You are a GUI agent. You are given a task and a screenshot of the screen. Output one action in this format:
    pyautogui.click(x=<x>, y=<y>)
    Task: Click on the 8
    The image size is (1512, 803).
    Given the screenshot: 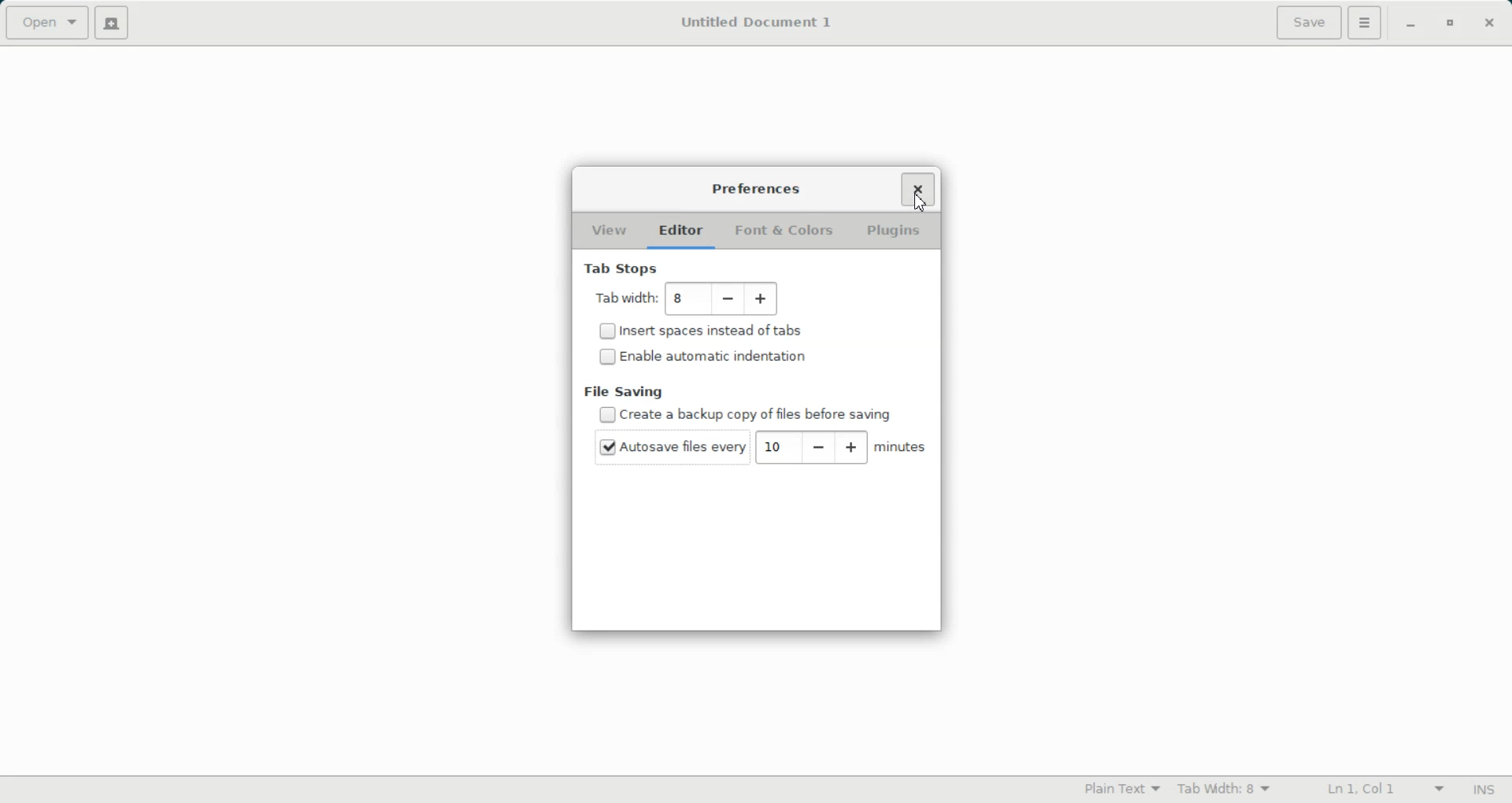 What is the action you would take?
    pyautogui.click(x=683, y=301)
    